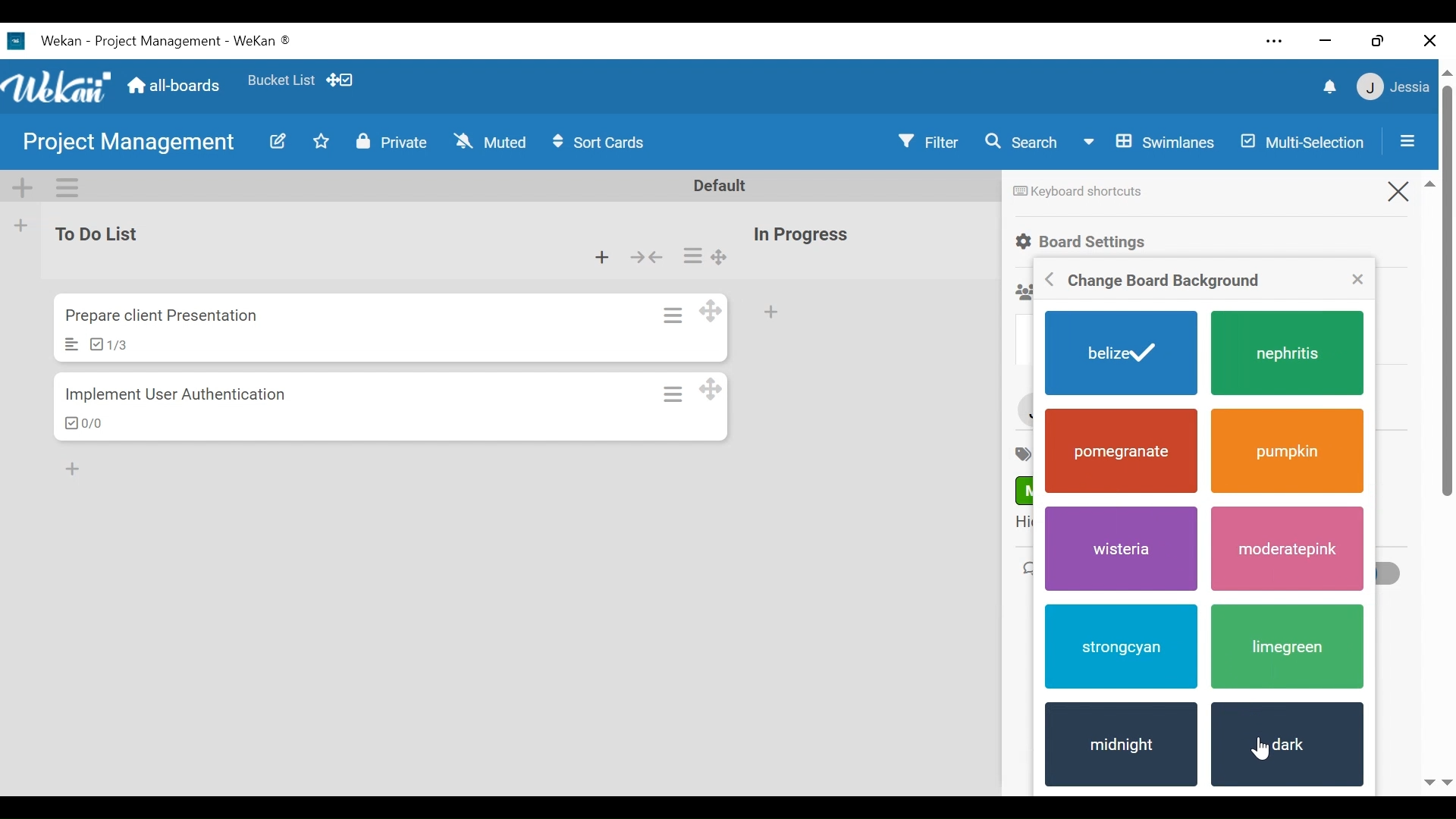 The image size is (1456, 819). What do you see at coordinates (490, 142) in the screenshot?
I see `Muted` at bounding box center [490, 142].